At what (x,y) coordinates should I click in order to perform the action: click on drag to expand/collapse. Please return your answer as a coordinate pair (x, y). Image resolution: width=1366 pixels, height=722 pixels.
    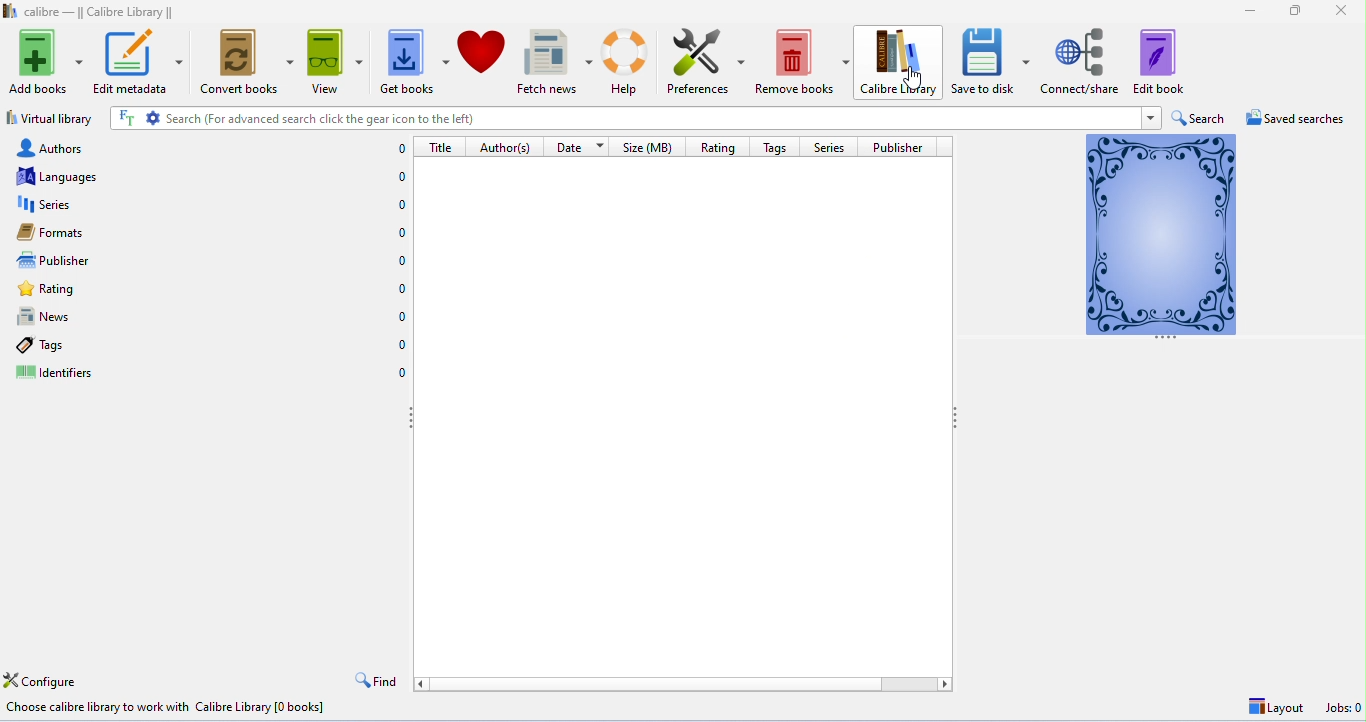
    Looking at the image, I should click on (1165, 340).